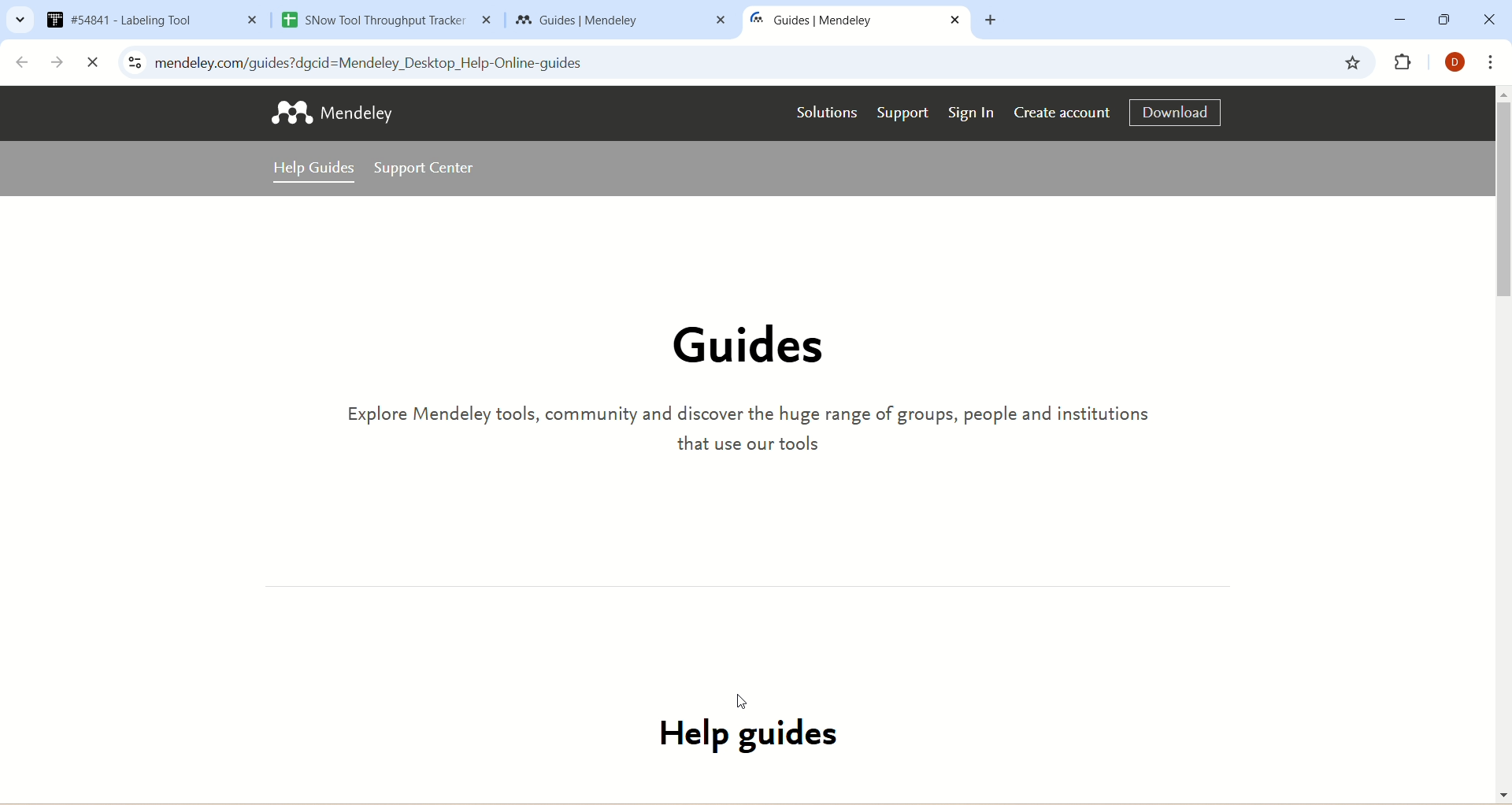 The image size is (1512, 805). Describe the element at coordinates (22, 64) in the screenshot. I see `back` at that location.